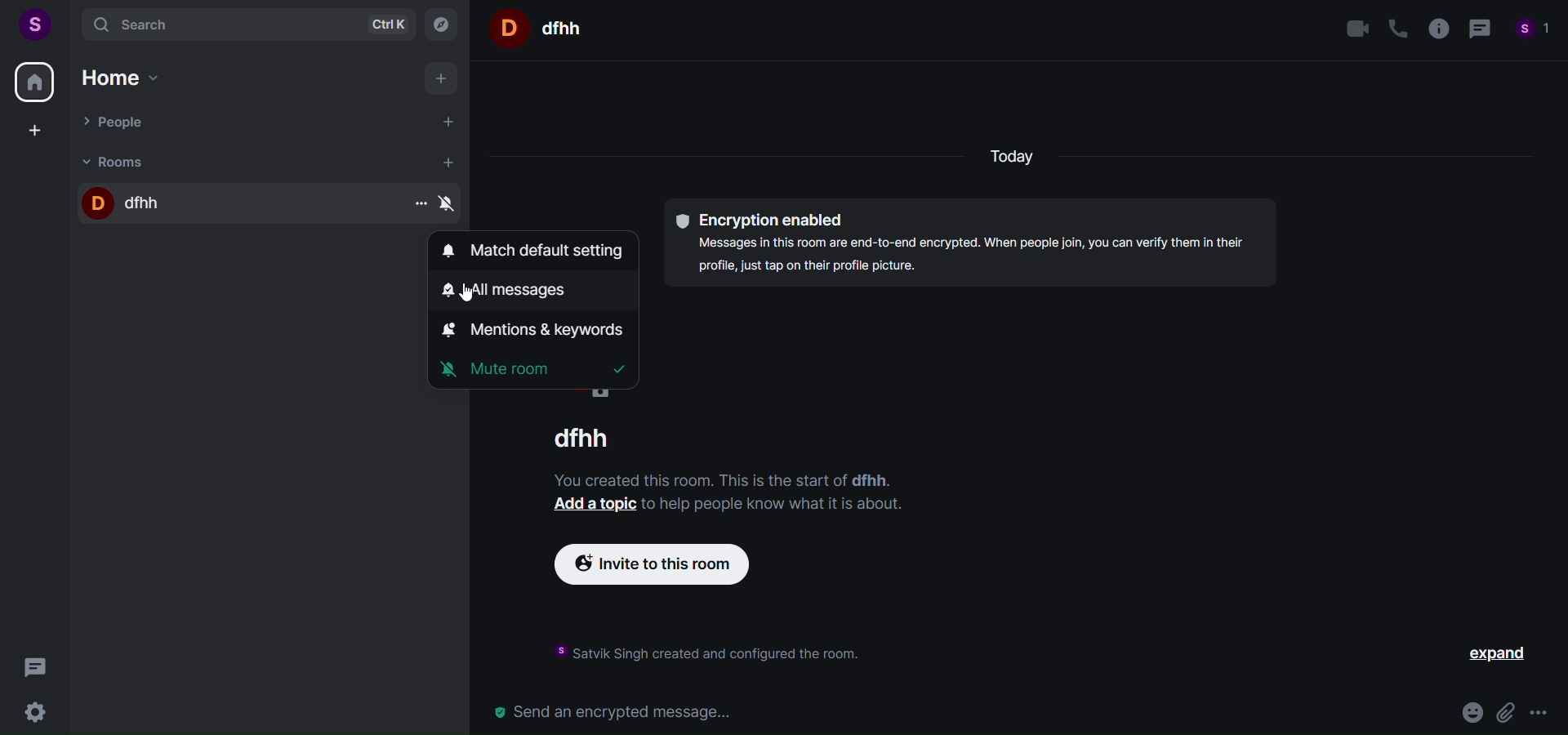 Image resolution: width=1568 pixels, height=735 pixels. I want to click on people, so click(240, 123).